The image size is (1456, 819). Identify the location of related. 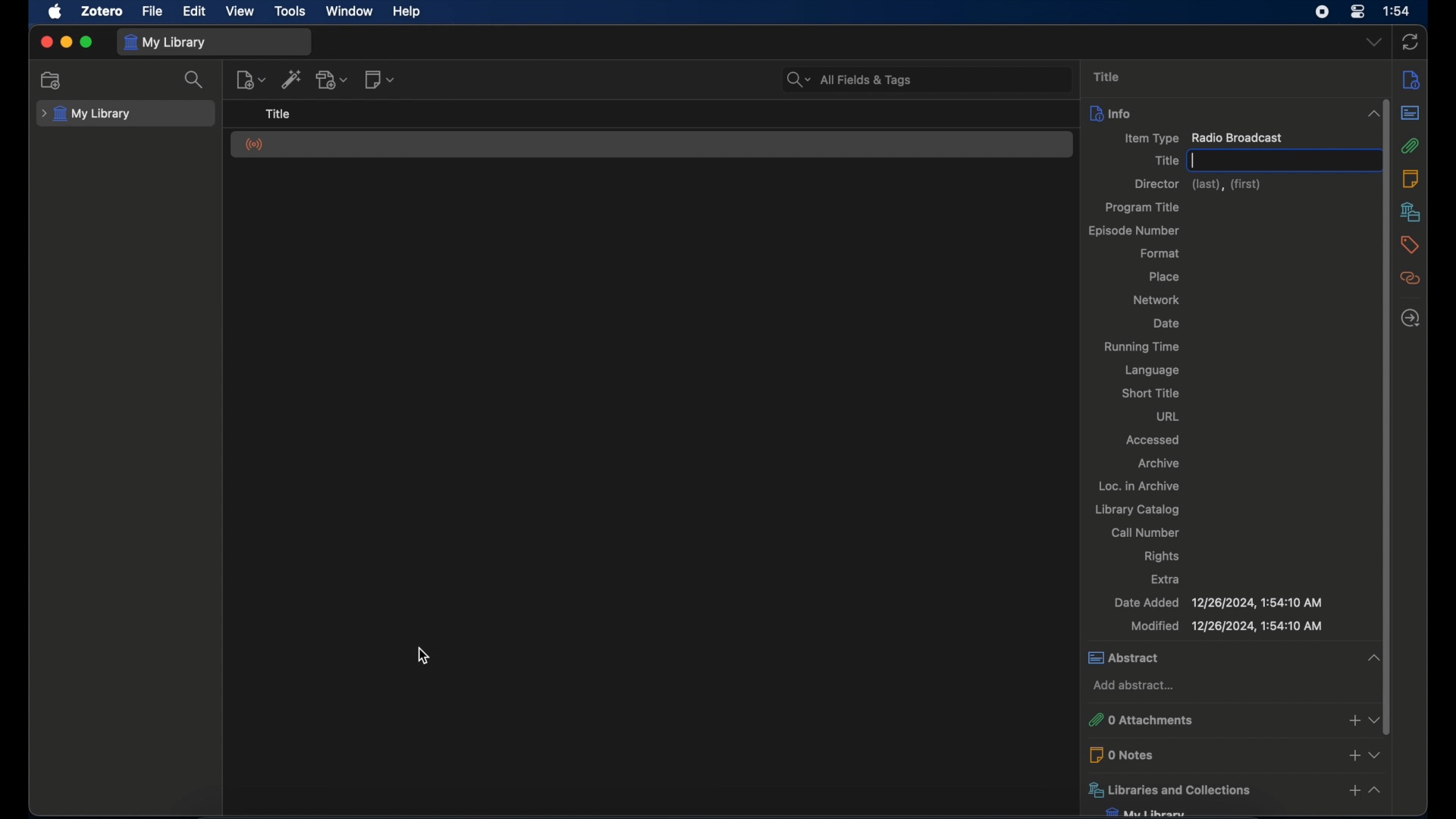
(1410, 278).